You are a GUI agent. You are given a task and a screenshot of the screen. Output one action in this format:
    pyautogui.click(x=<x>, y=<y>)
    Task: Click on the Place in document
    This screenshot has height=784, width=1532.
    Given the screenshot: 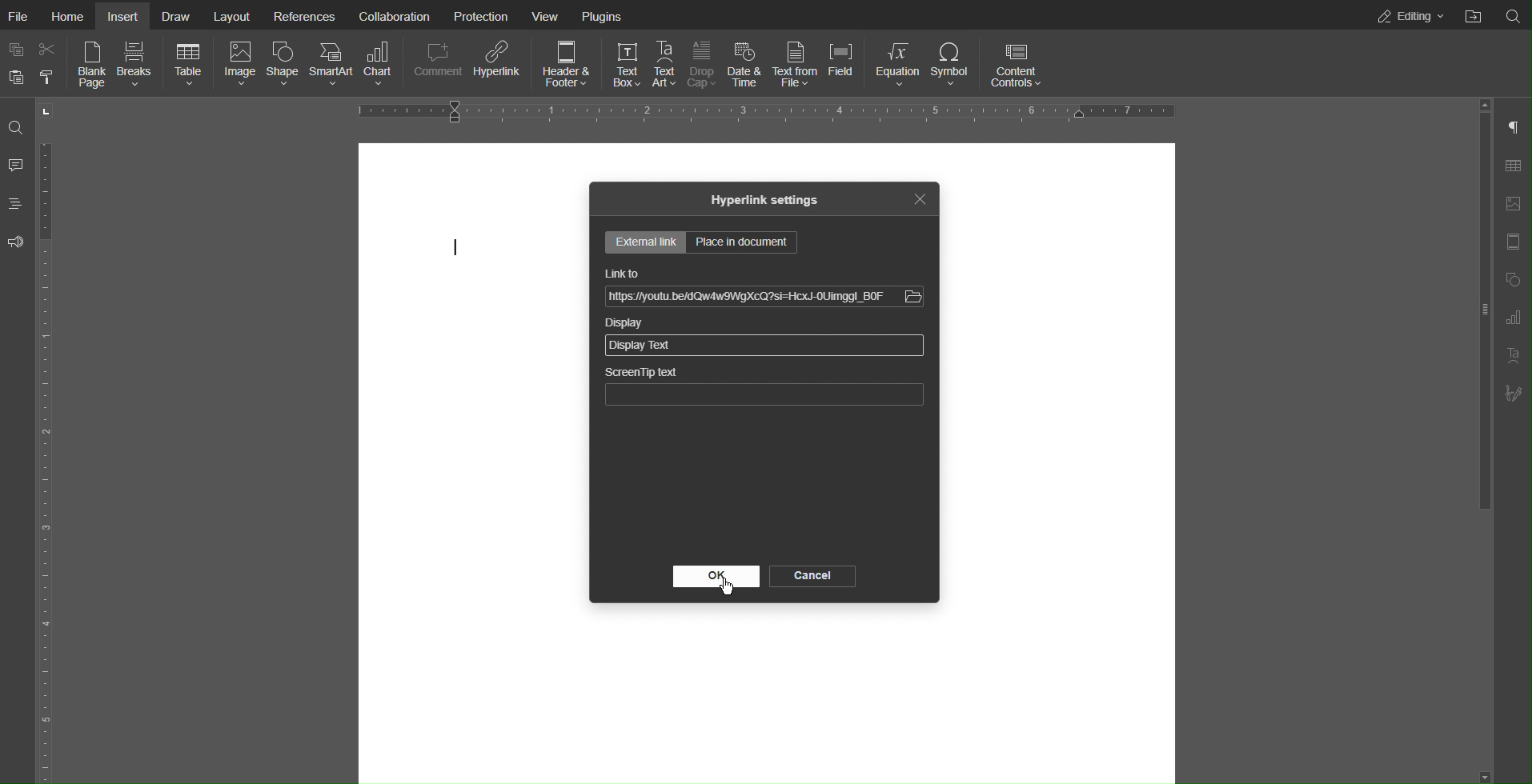 What is the action you would take?
    pyautogui.click(x=744, y=242)
    